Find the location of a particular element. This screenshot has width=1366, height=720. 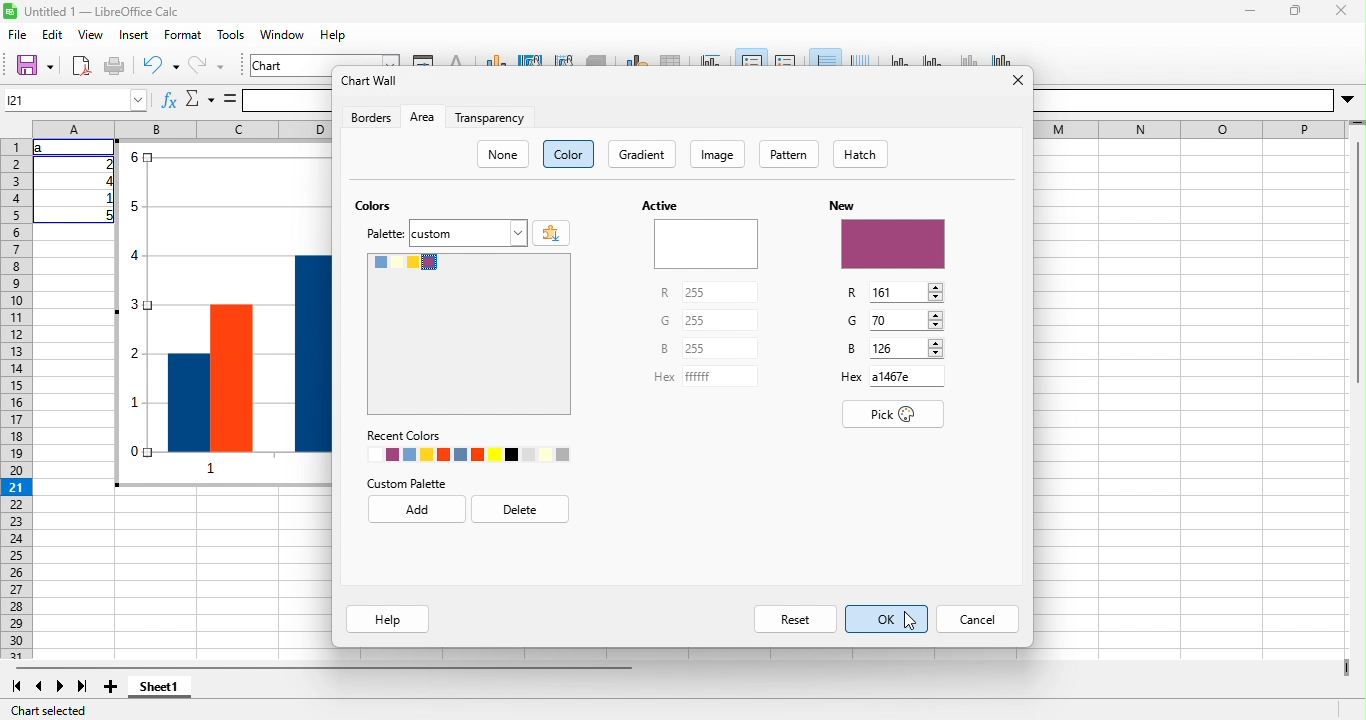

custom palette option selected is located at coordinates (468, 233).